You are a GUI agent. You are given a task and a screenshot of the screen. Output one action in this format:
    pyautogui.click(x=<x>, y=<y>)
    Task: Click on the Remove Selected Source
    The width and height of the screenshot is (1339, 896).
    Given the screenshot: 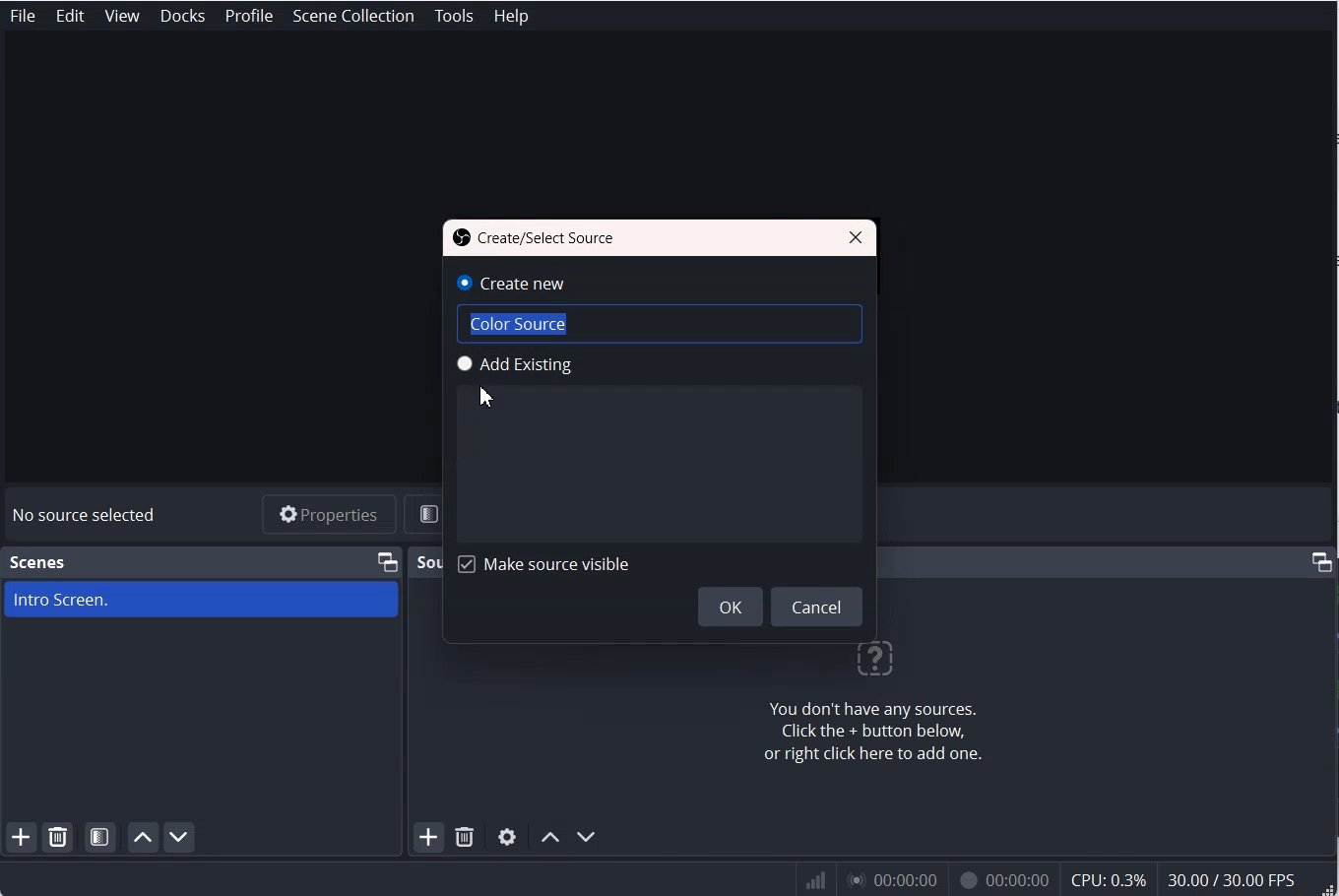 What is the action you would take?
    pyautogui.click(x=465, y=838)
    